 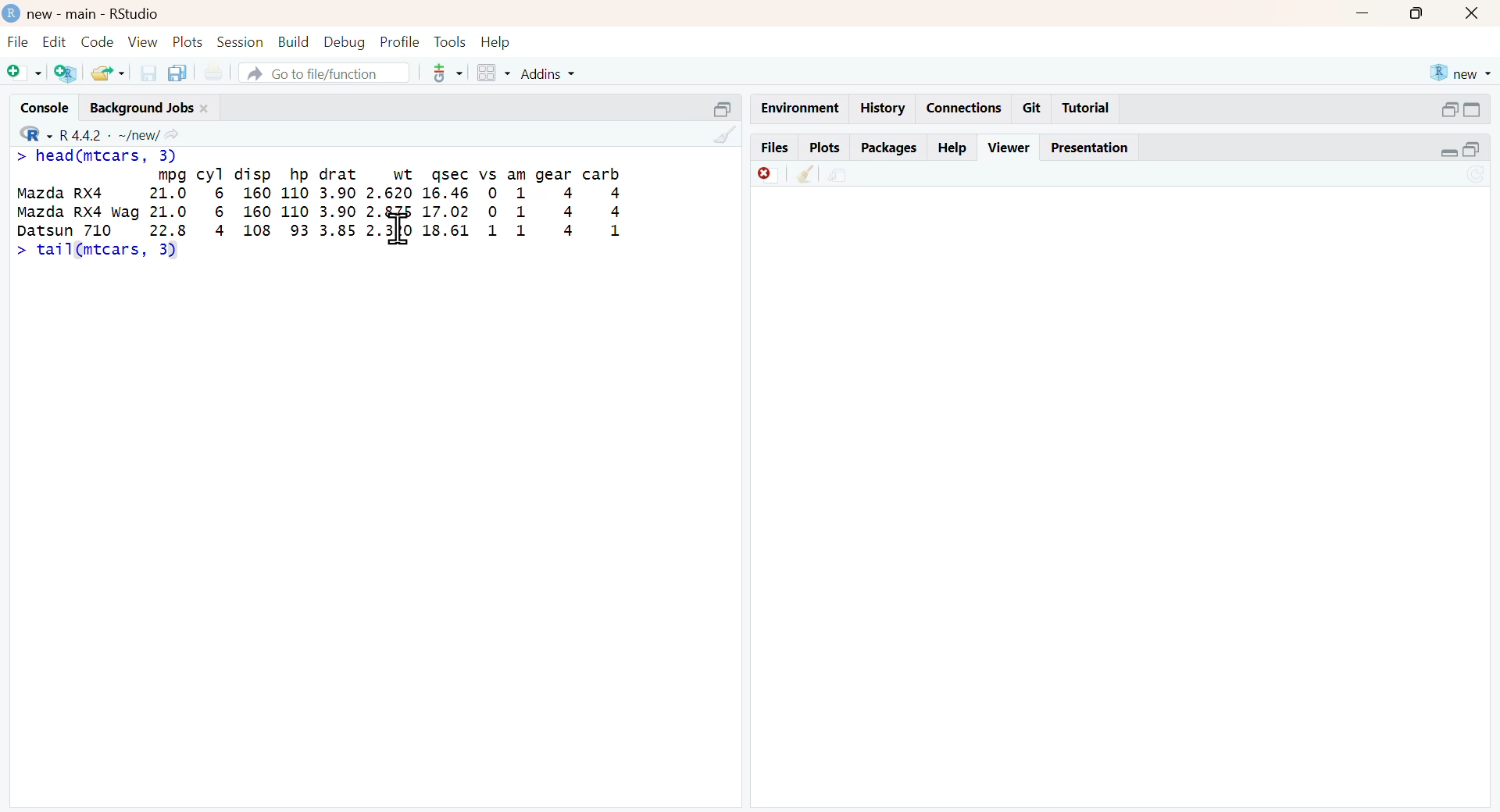 I want to click on Minimize, so click(x=712, y=107).